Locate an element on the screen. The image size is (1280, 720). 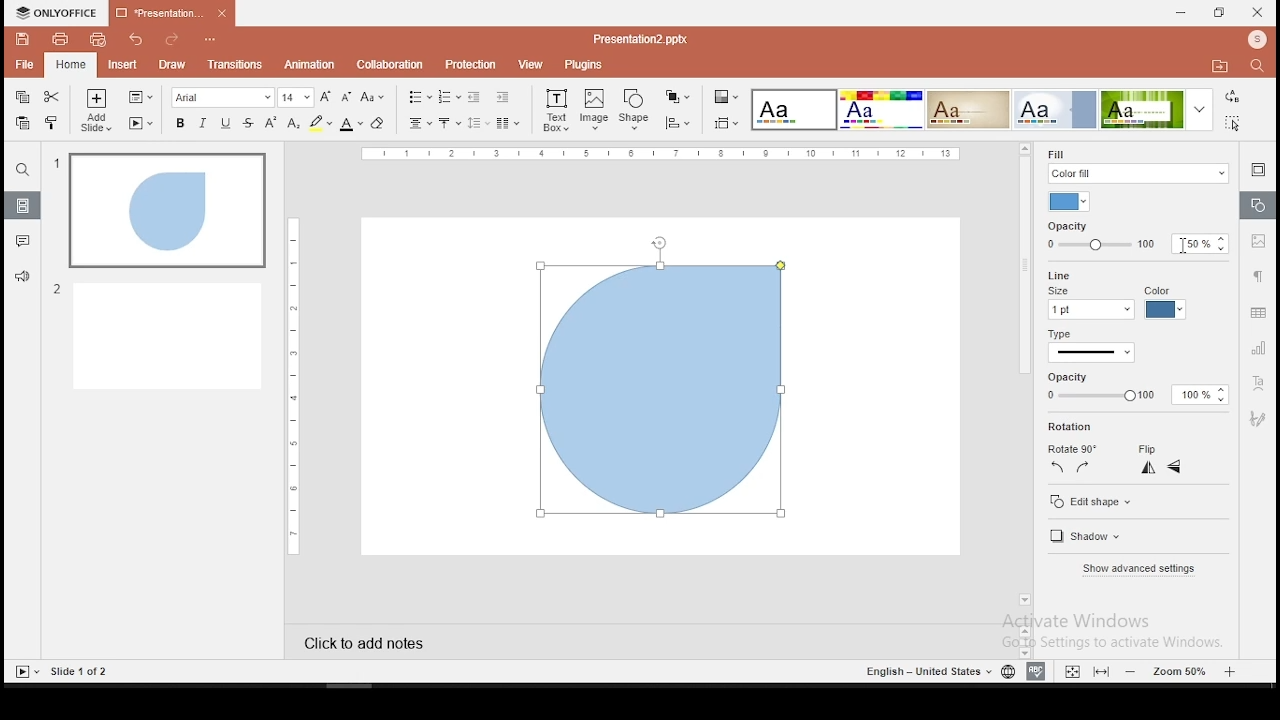
theme is located at coordinates (880, 109).